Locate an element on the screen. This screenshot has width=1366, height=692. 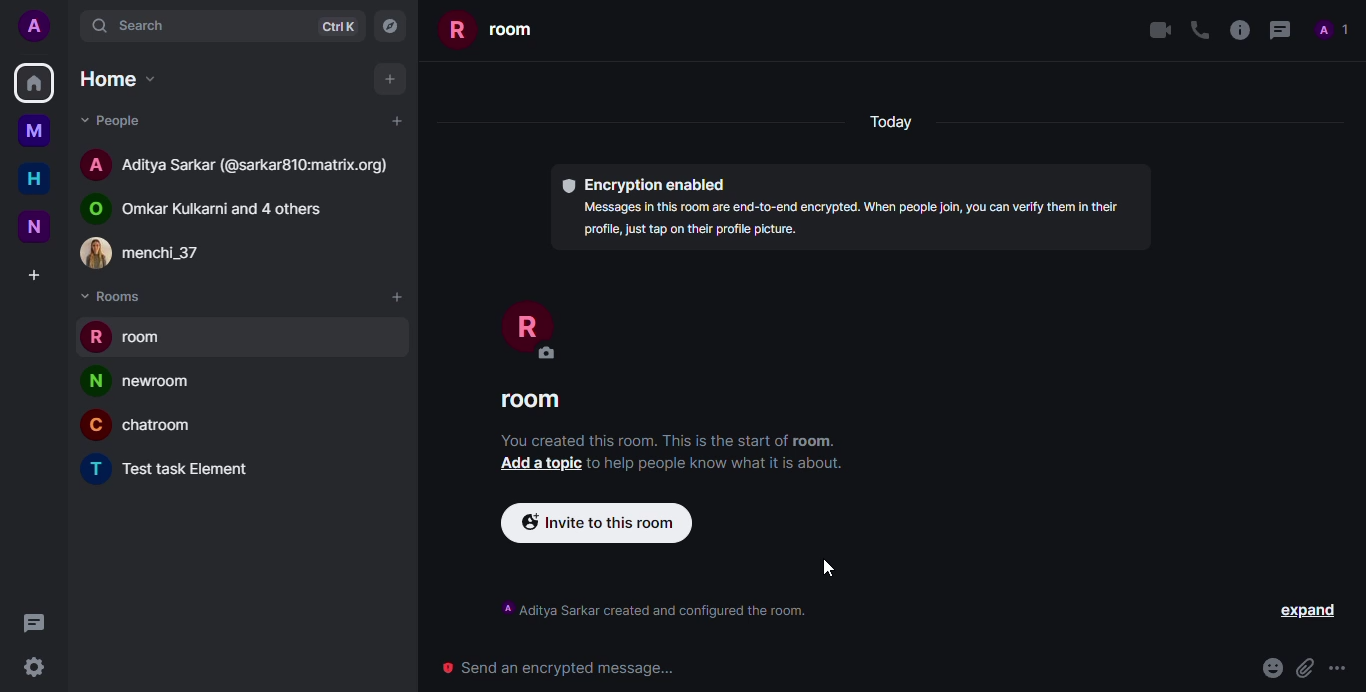
profile  is located at coordinates (527, 331).